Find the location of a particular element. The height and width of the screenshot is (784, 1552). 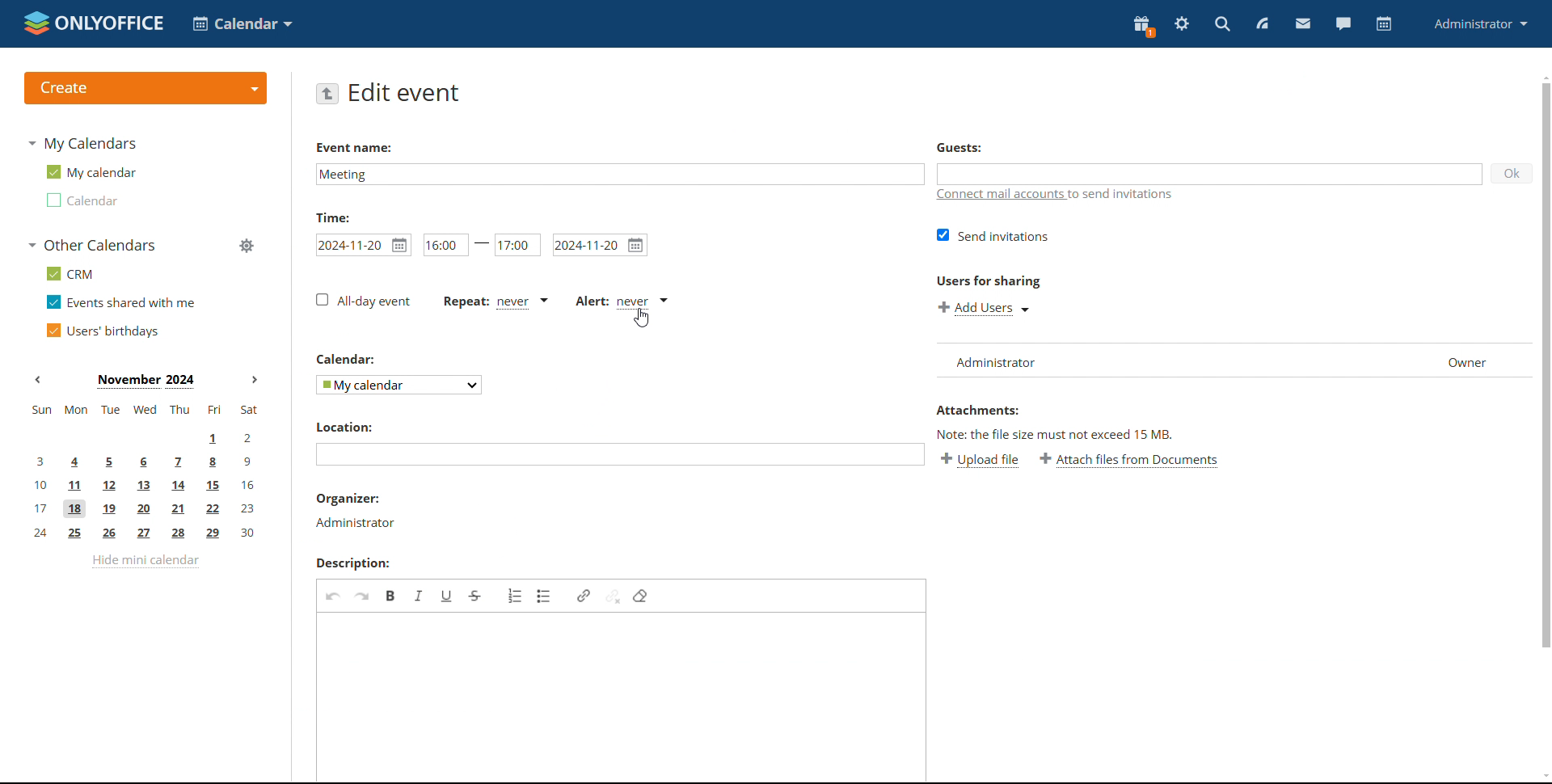

ok is located at coordinates (1512, 173).